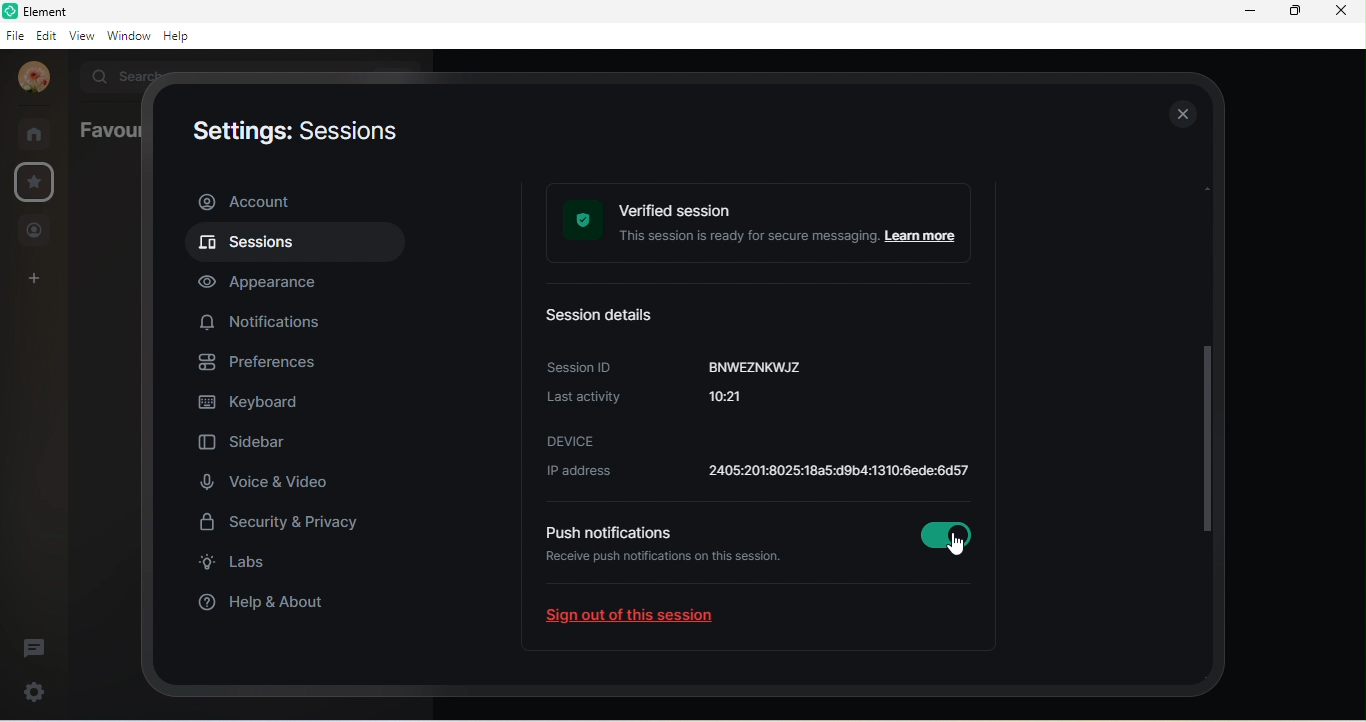 The height and width of the screenshot is (722, 1366). What do you see at coordinates (269, 282) in the screenshot?
I see `appearance` at bounding box center [269, 282].